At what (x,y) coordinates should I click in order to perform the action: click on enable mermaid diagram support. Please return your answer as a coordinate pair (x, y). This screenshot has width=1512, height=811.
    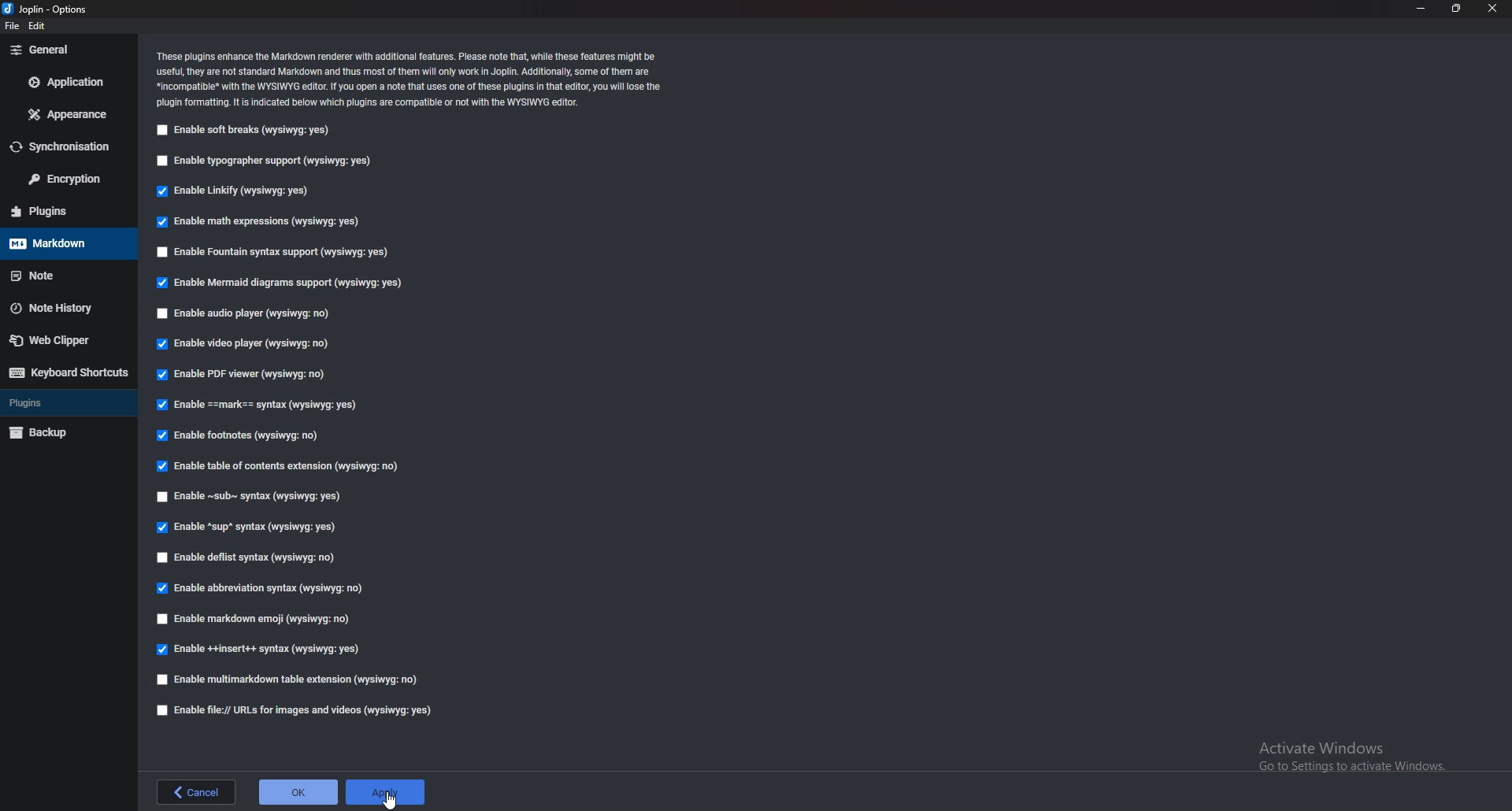
    Looking at the image, I should click on (280, 281).